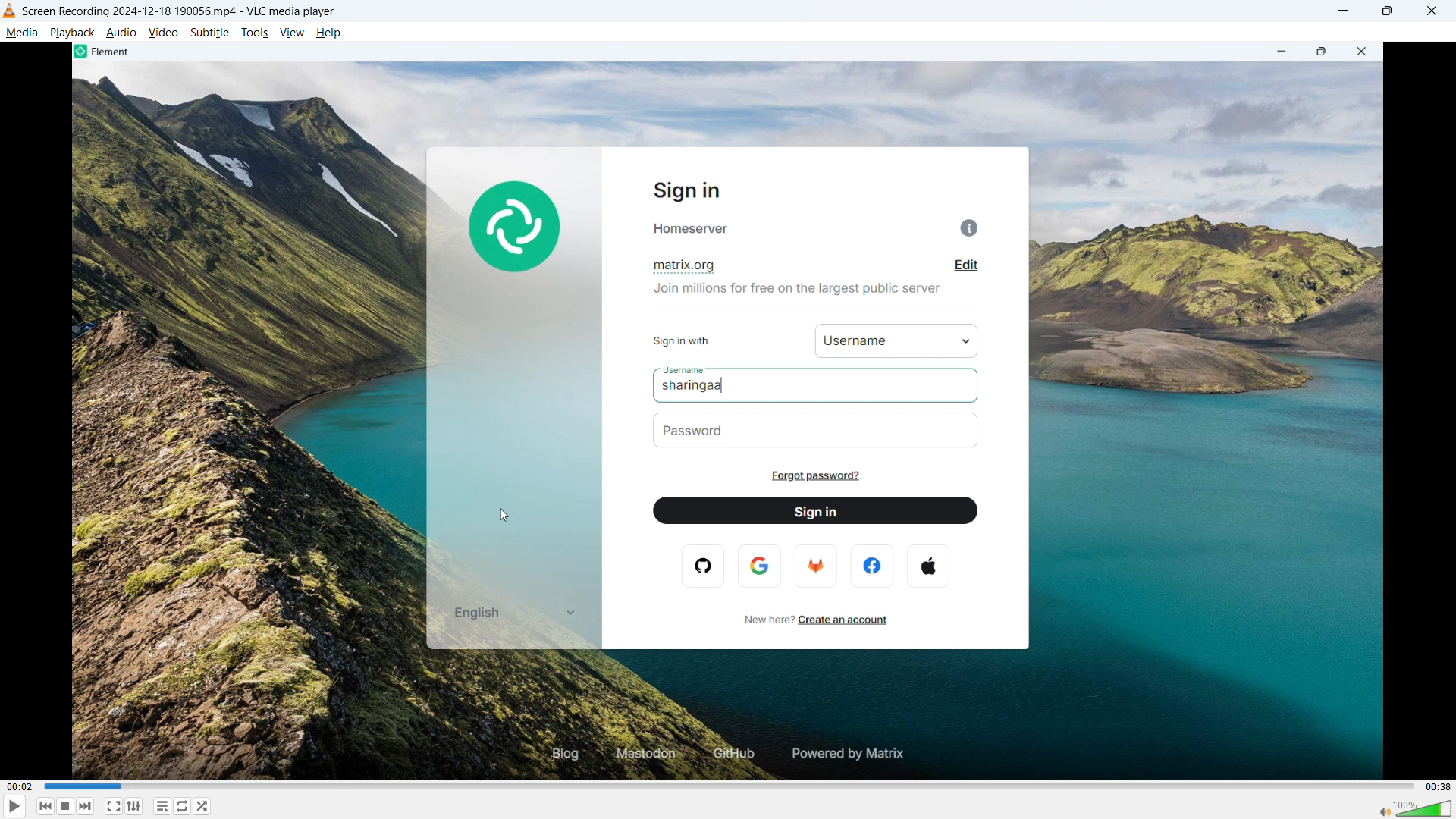  Describe the element at coordinates (15, 806) in the screenshot. I see `play ` at that location.